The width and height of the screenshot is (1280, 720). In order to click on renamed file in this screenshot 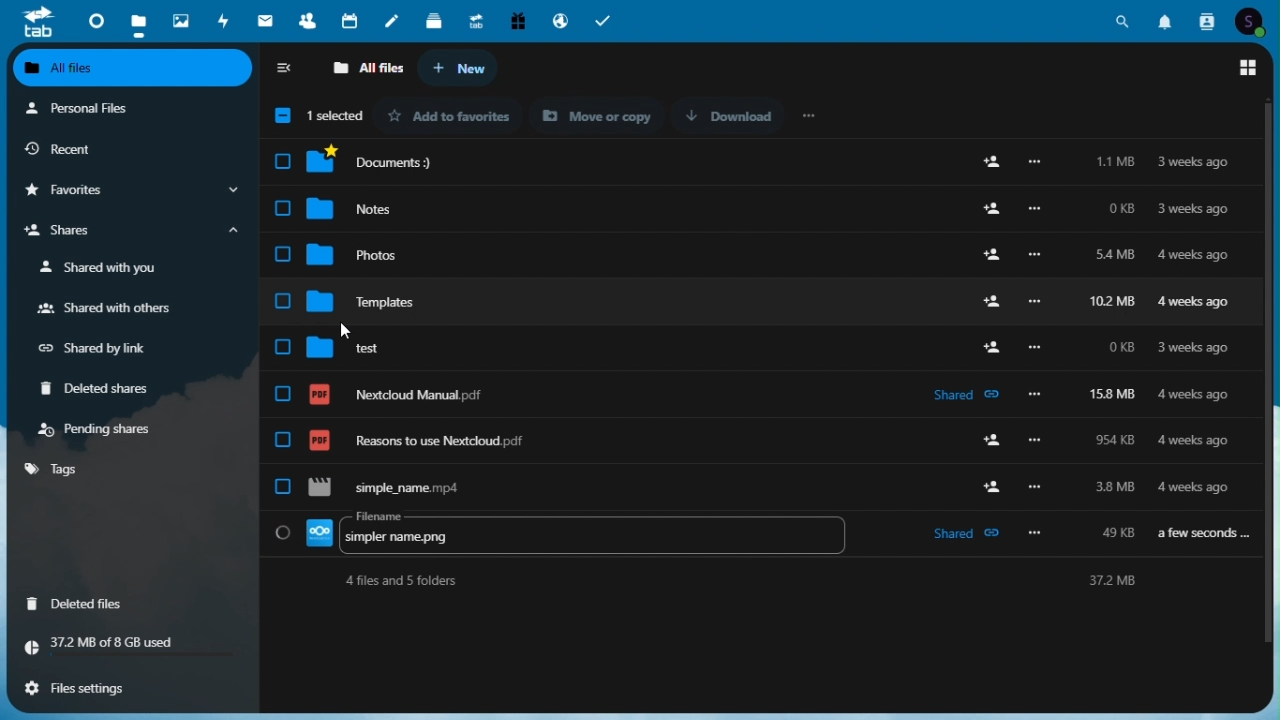, I will do `click(758, 533)`.